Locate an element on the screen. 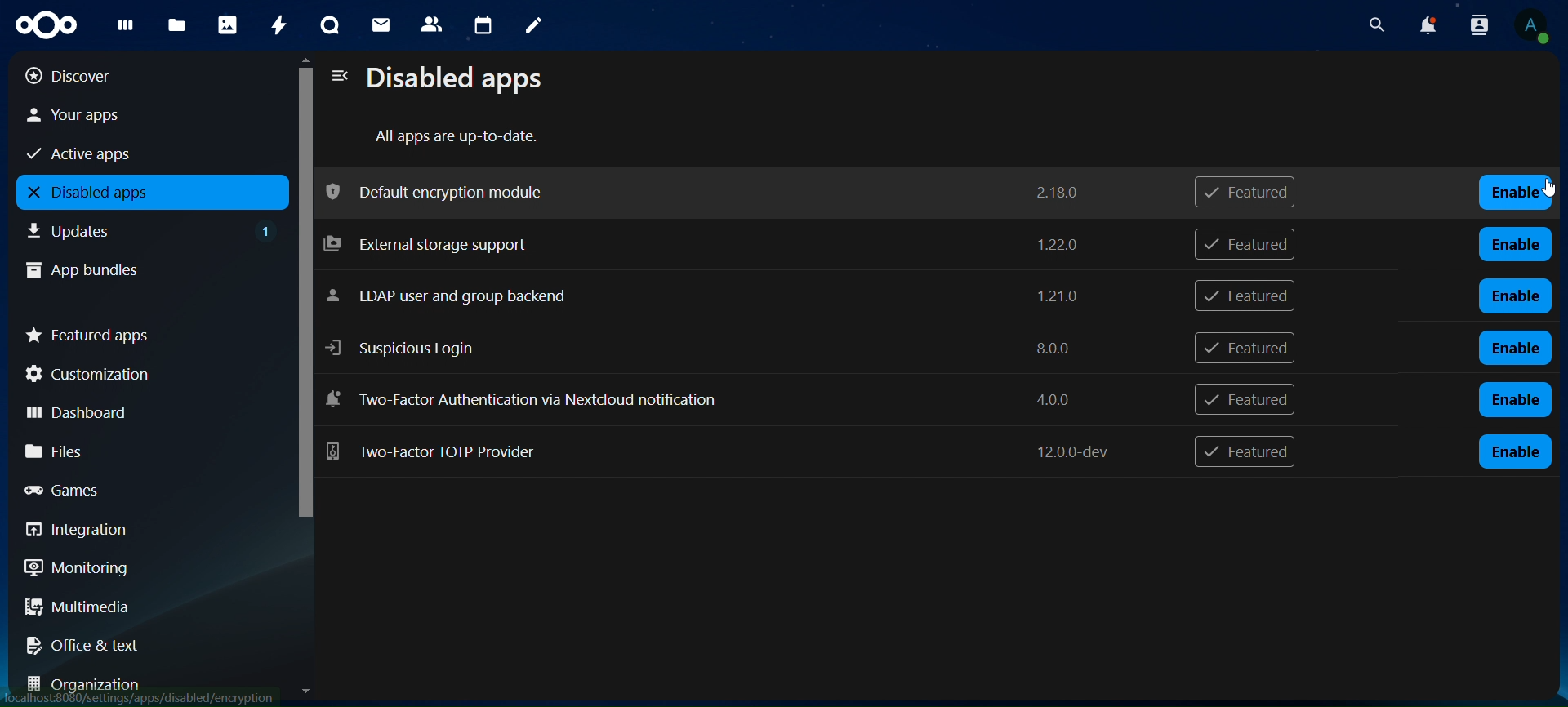 The image size is (1568, 707). active apps is located at coordinates (131, 152).